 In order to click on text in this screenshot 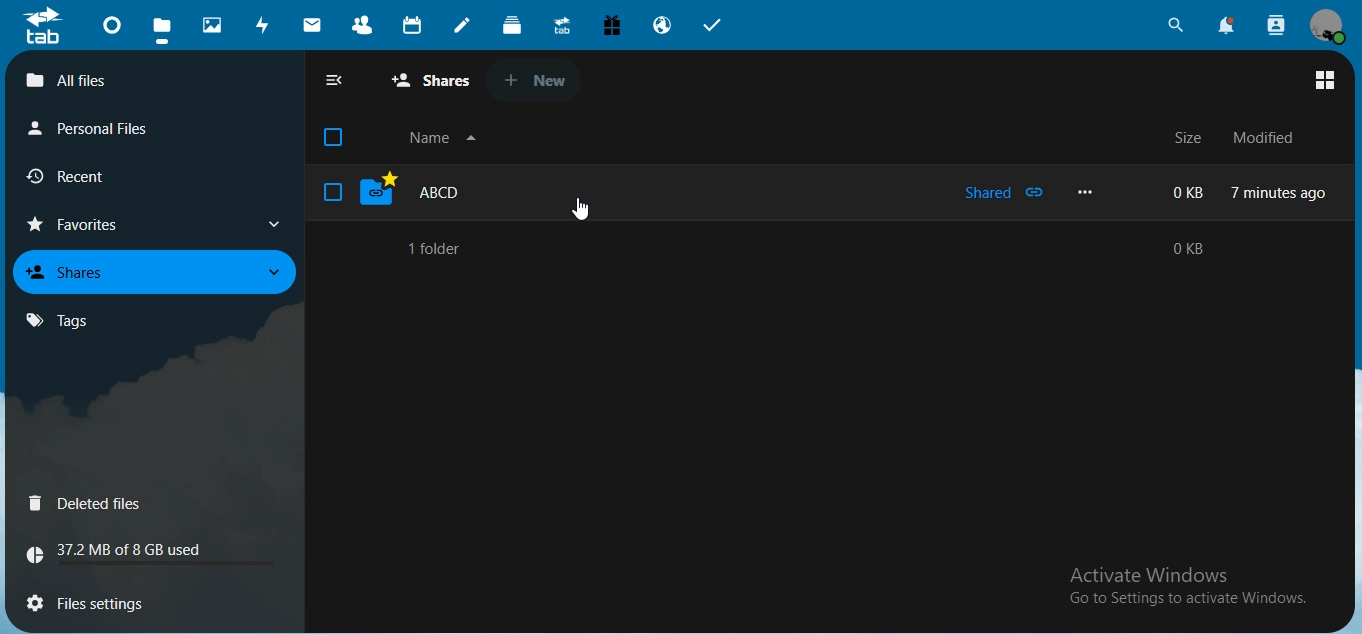, I will do `click(1258, 189)`.